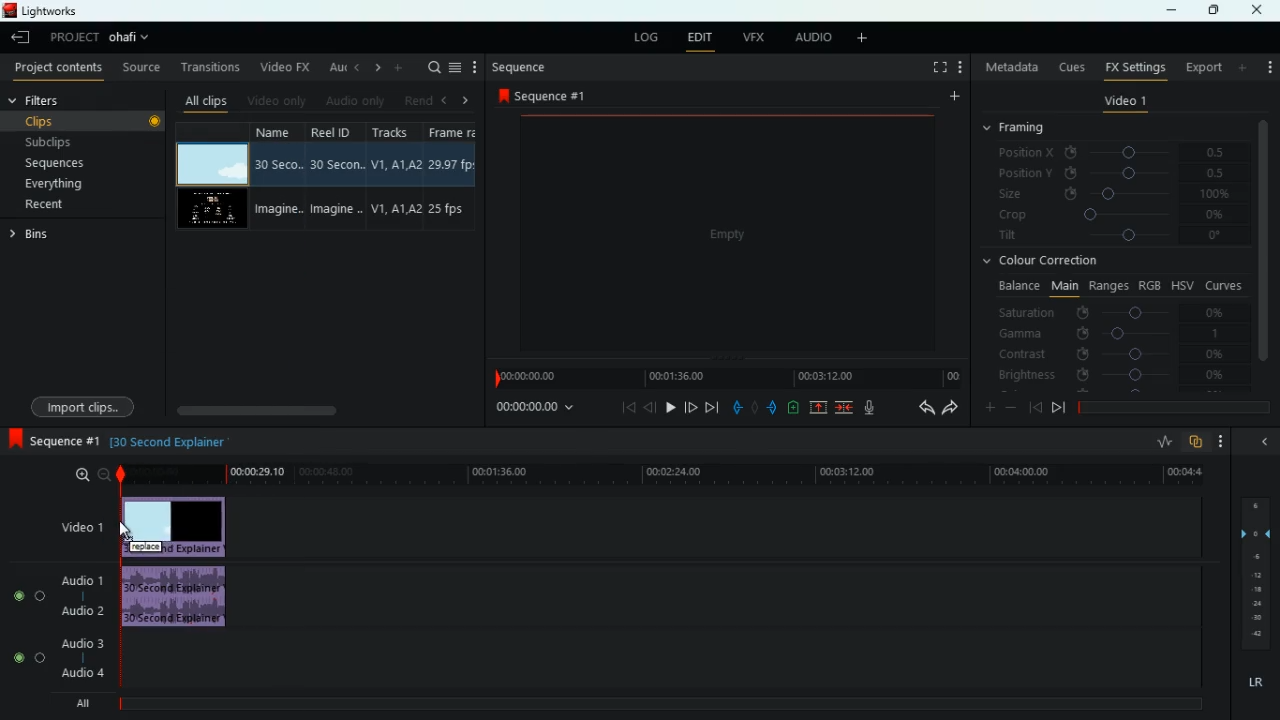 This screenshot has width=1280, height=720. What do you see at coordinates (1116, 311) in the screenshot?
I see `saturation` at bounding box center [1116, 311].